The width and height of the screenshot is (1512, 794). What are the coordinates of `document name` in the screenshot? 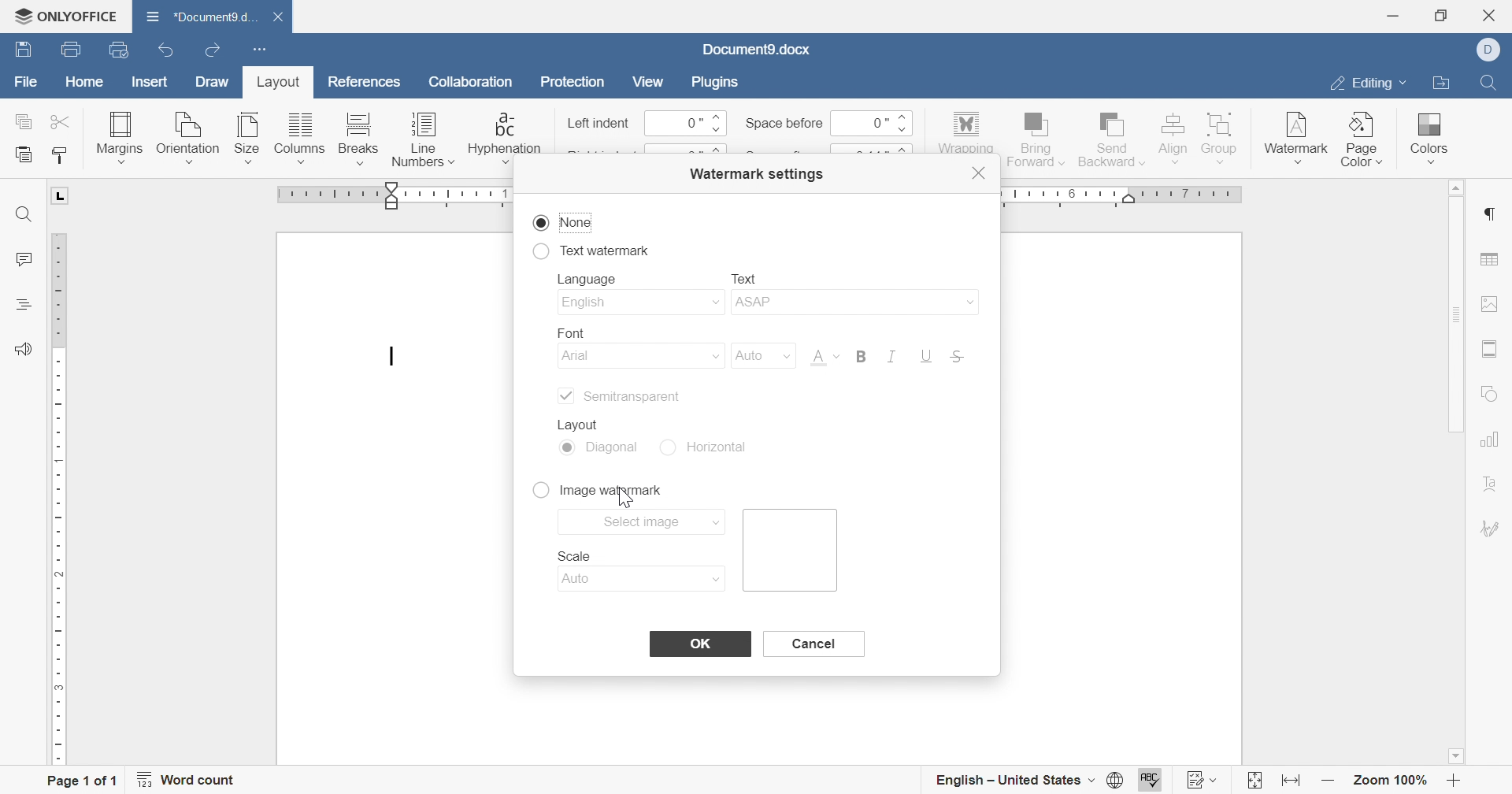 It's located at (755, 50).